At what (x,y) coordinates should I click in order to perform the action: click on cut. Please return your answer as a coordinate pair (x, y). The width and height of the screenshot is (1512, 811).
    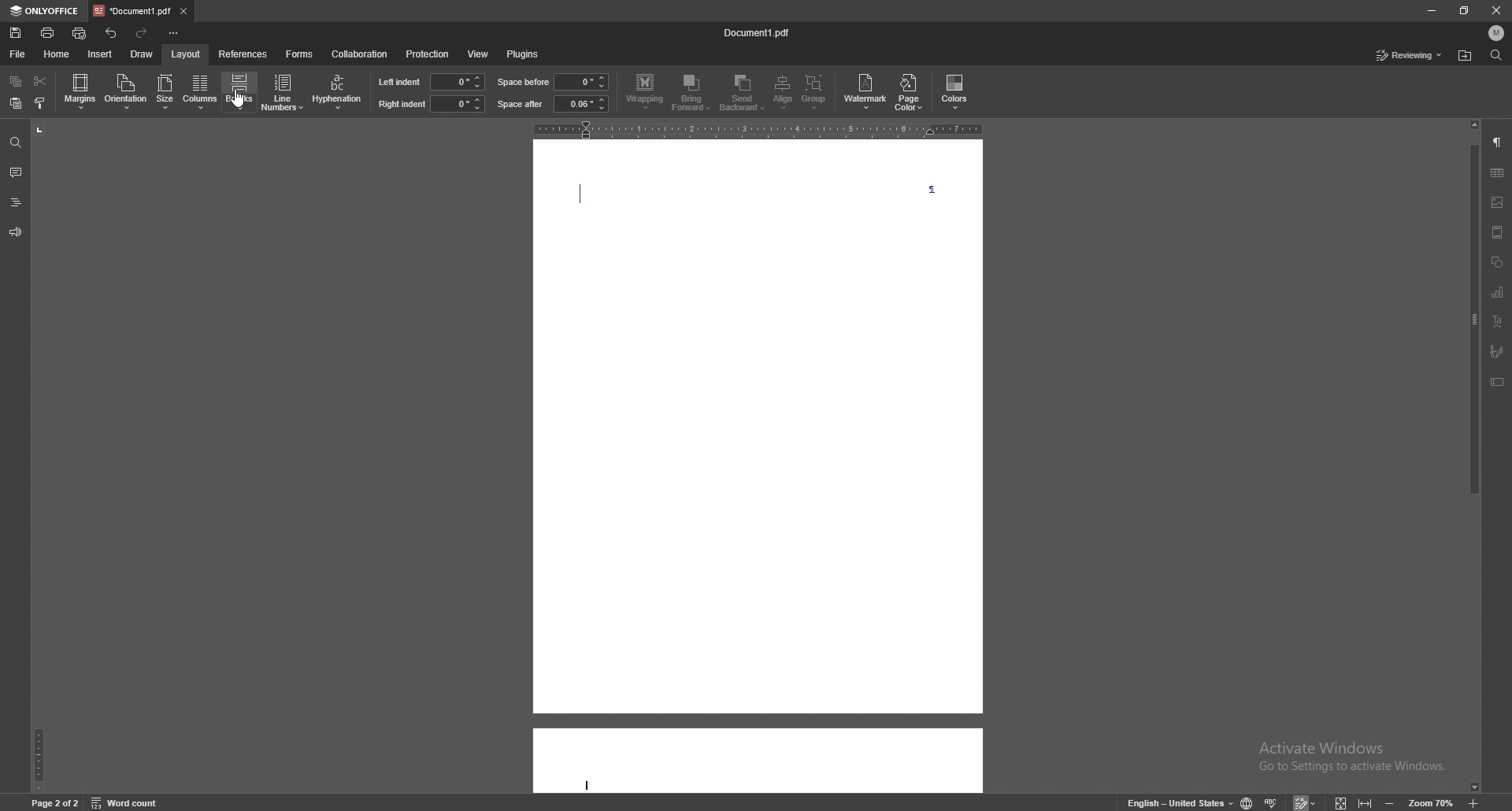
    Looking at the image, I should click on (40, 81).